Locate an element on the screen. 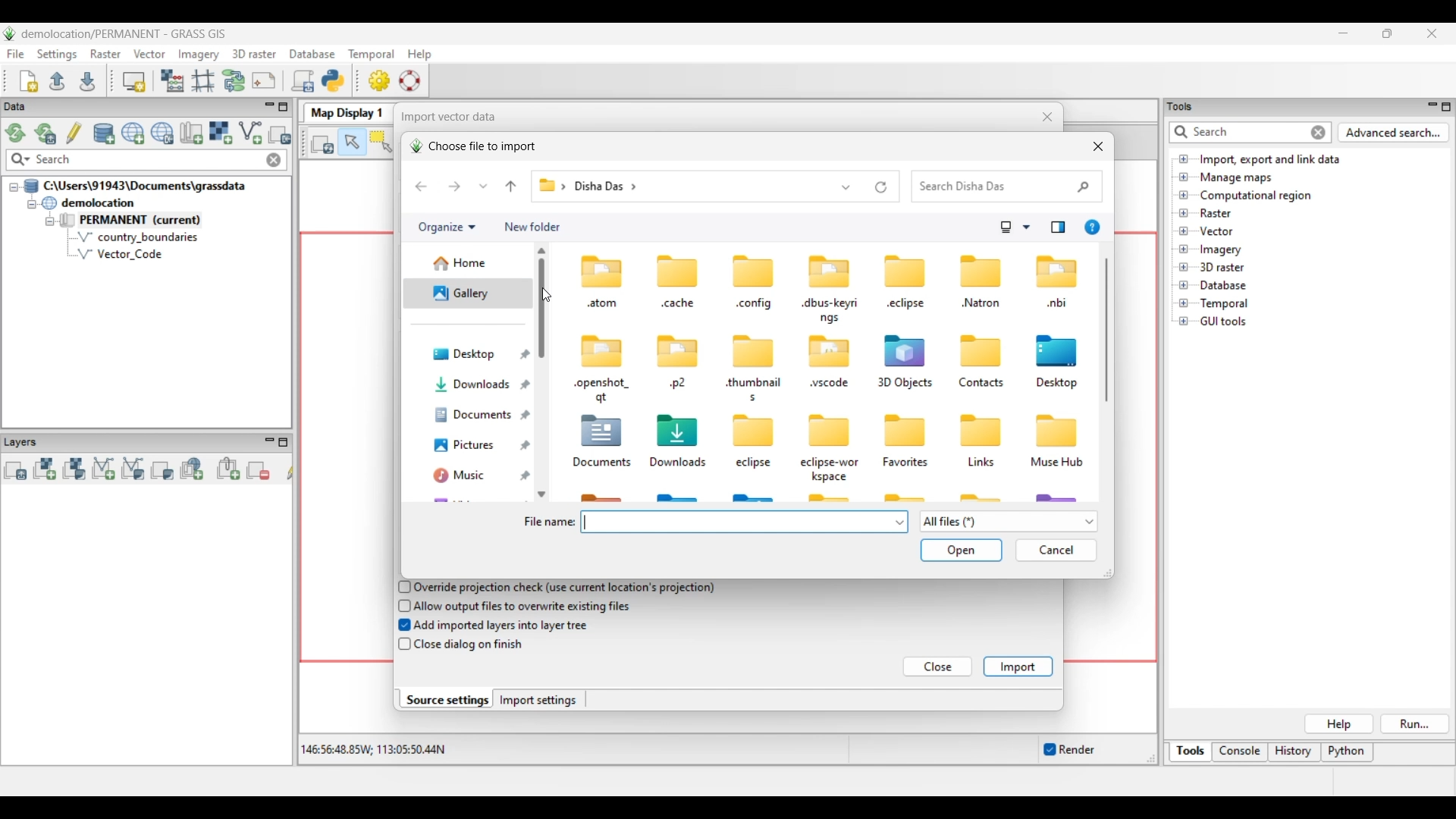 The width and height of the screenshot is (1456, 819). Settings menu is located at coordinates (57, 55).